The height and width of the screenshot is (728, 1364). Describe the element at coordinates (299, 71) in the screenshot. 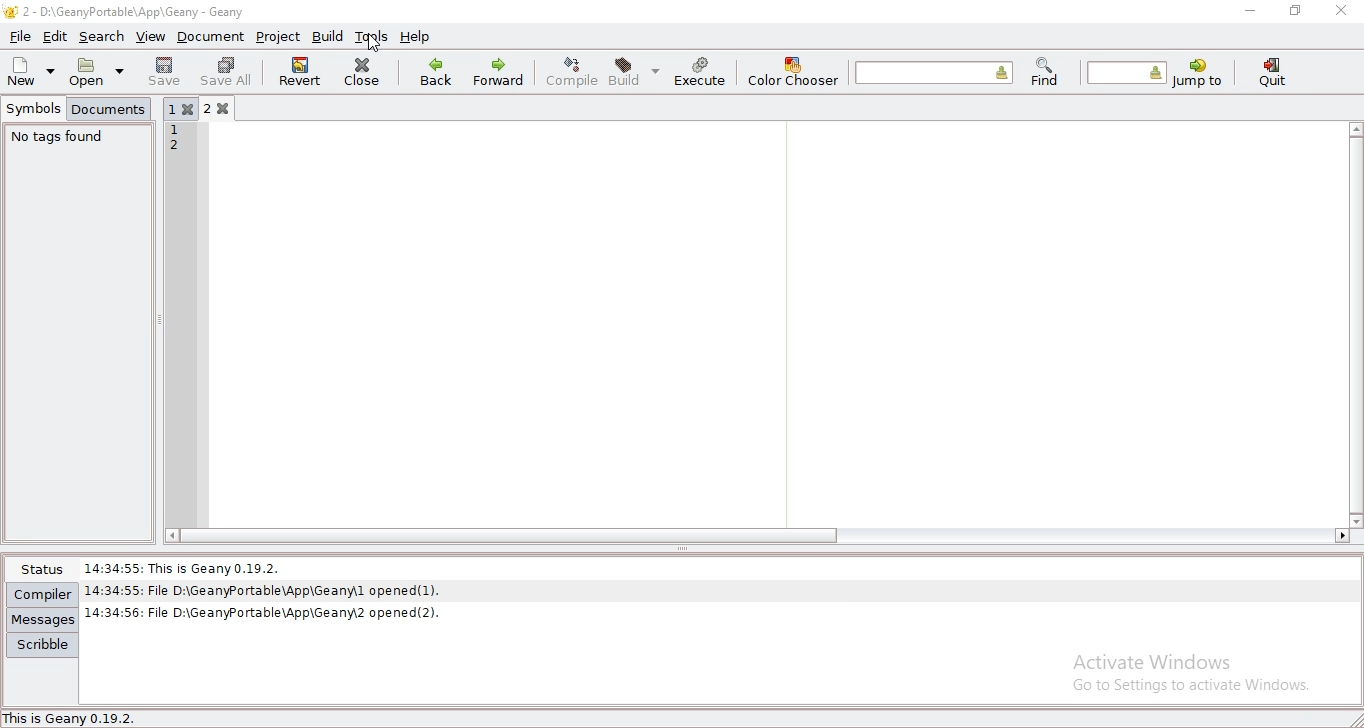

I see `revert` at that location.